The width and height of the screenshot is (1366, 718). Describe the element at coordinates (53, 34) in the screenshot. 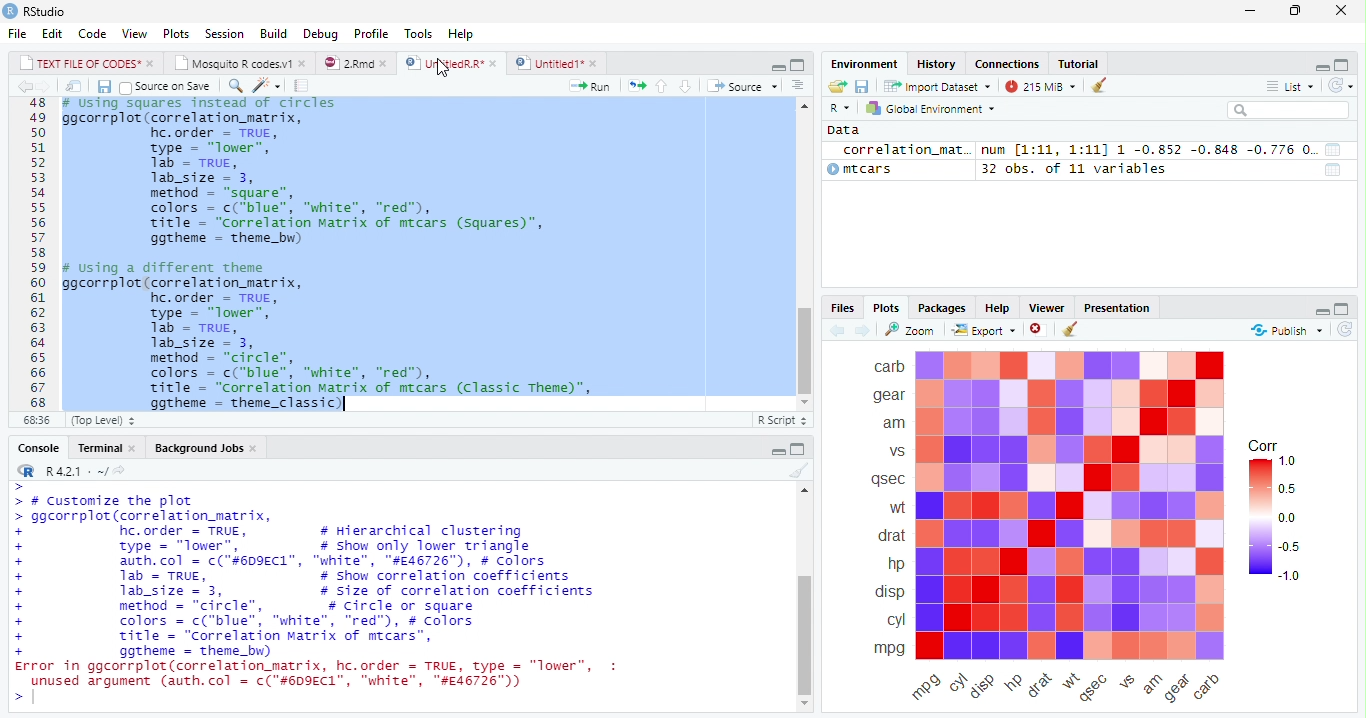

I see `Edit` at that location.